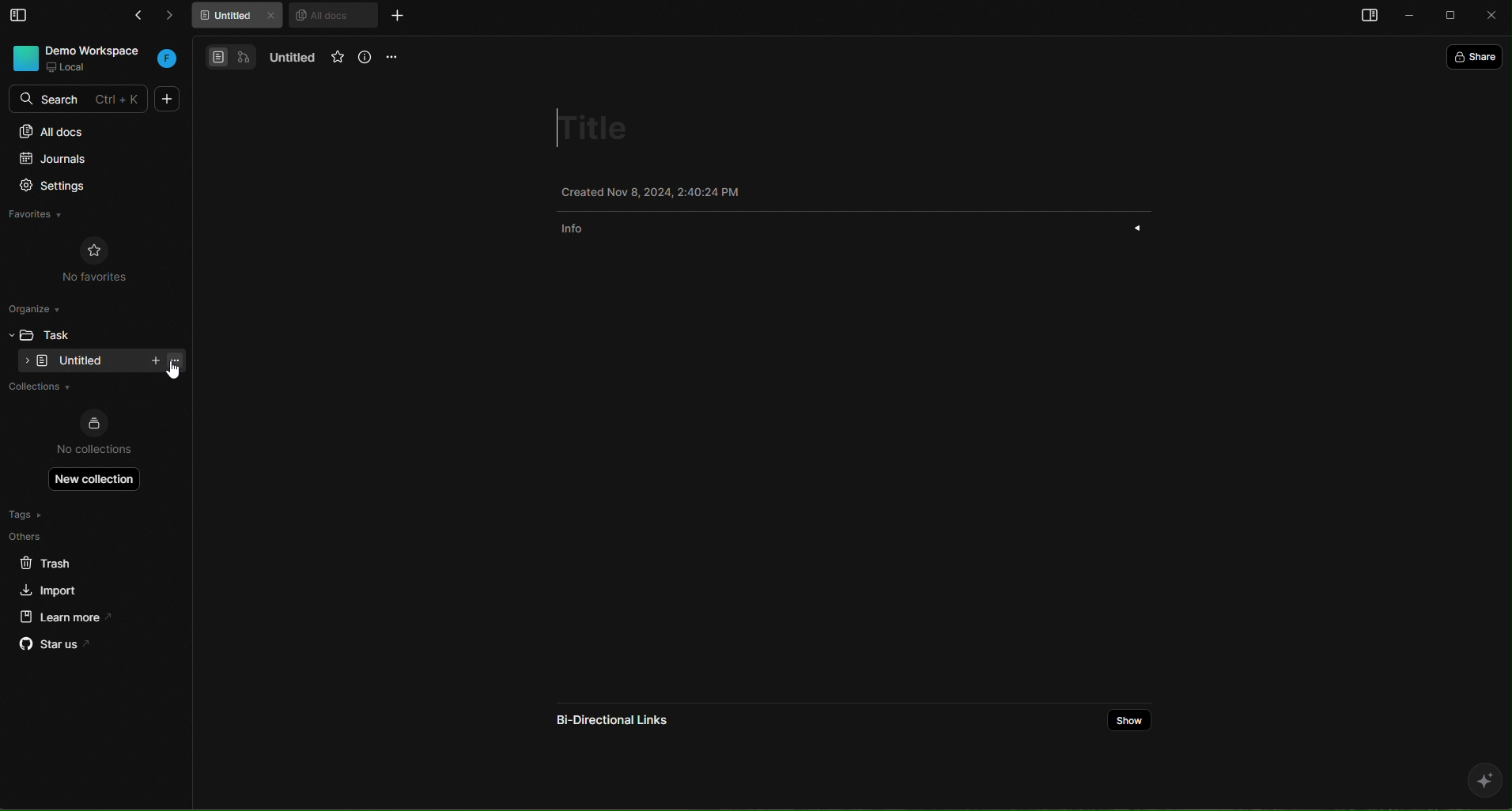 The height and width of the screenshot is (811, 1512). I want to click on new tab, so click(396, 15).